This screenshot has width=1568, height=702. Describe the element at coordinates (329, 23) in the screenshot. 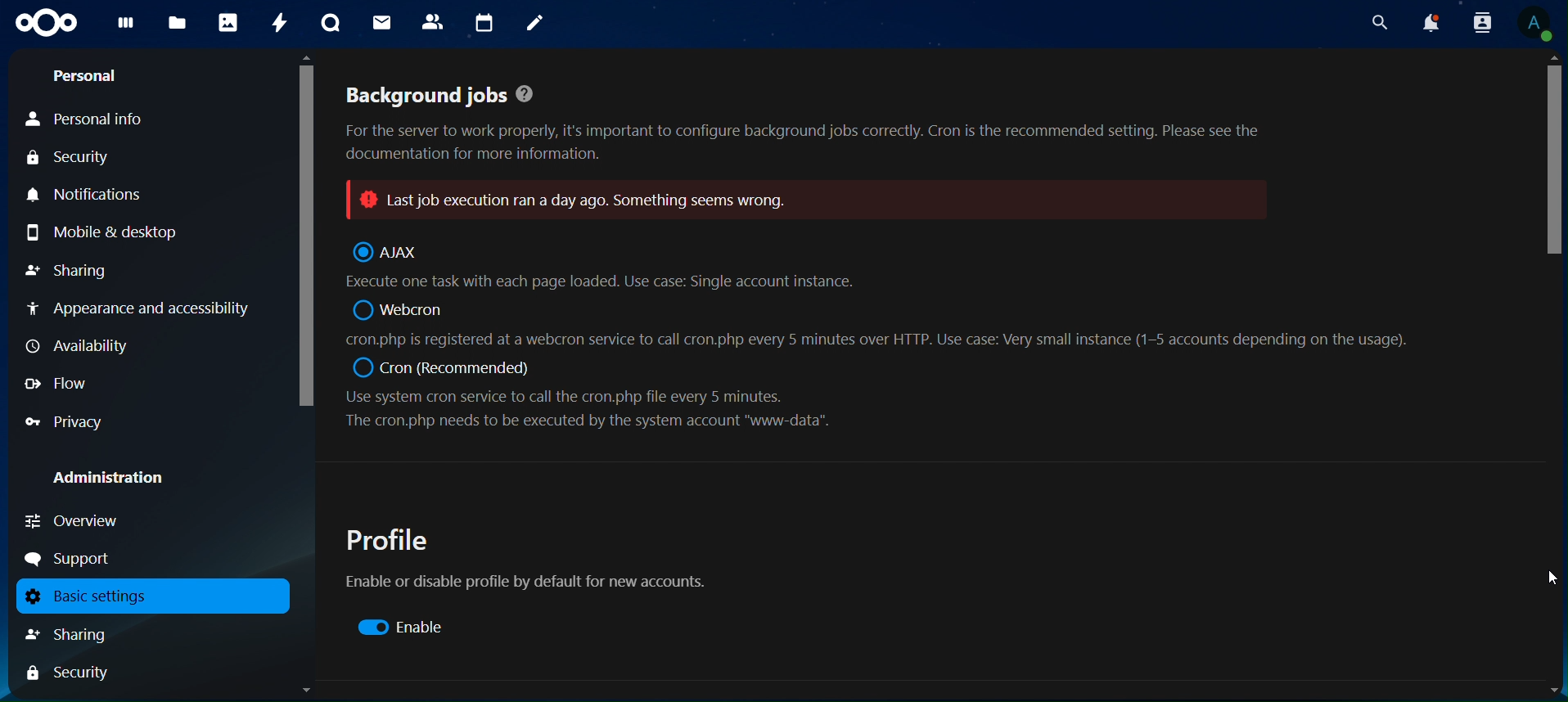

I see `talk` at that location.